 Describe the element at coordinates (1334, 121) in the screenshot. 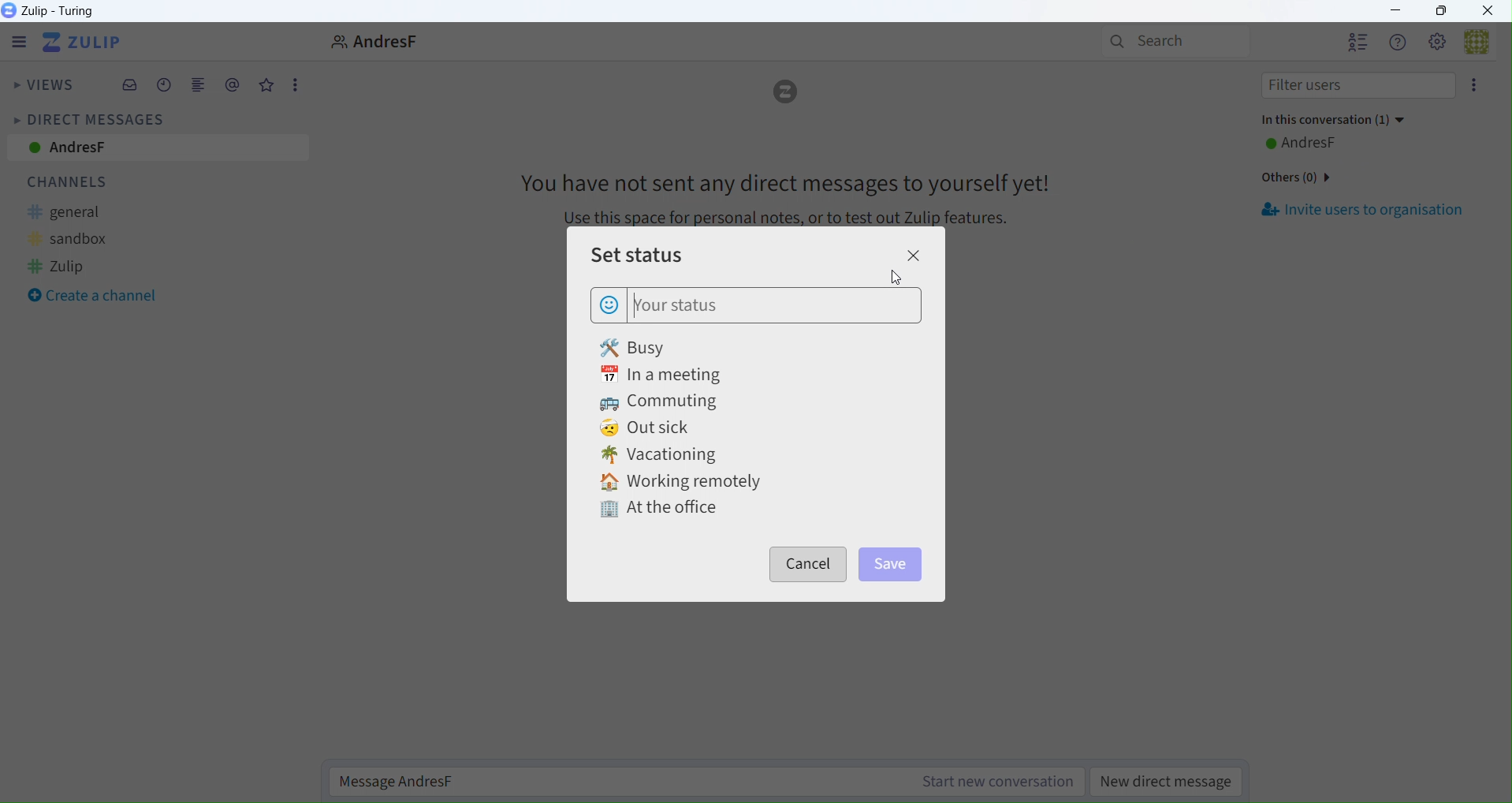

I see `In this conversation` at that location.